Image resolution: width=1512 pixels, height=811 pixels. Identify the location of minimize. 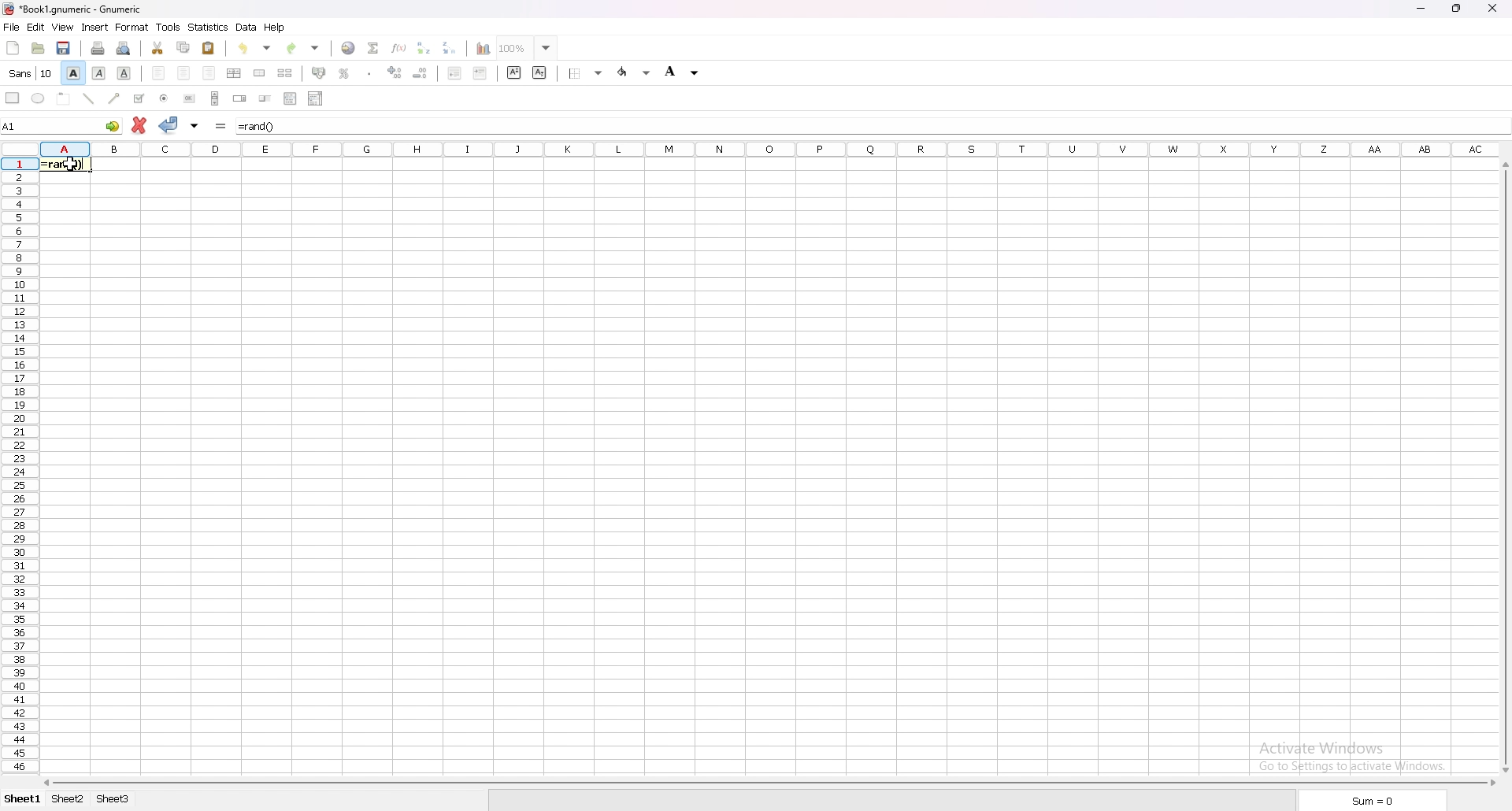
(1422, 9).